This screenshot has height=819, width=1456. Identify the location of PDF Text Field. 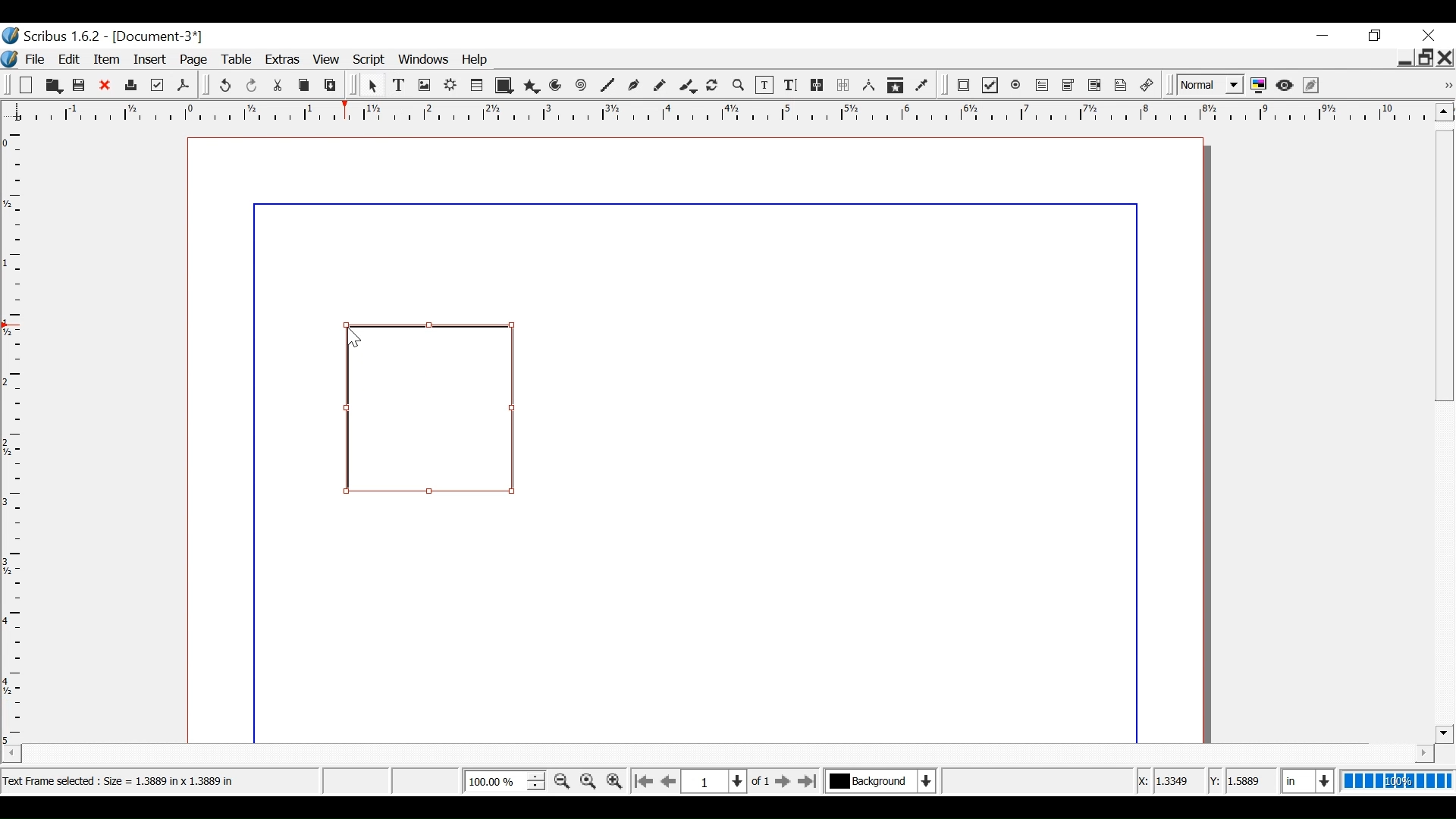
(1043, 86).